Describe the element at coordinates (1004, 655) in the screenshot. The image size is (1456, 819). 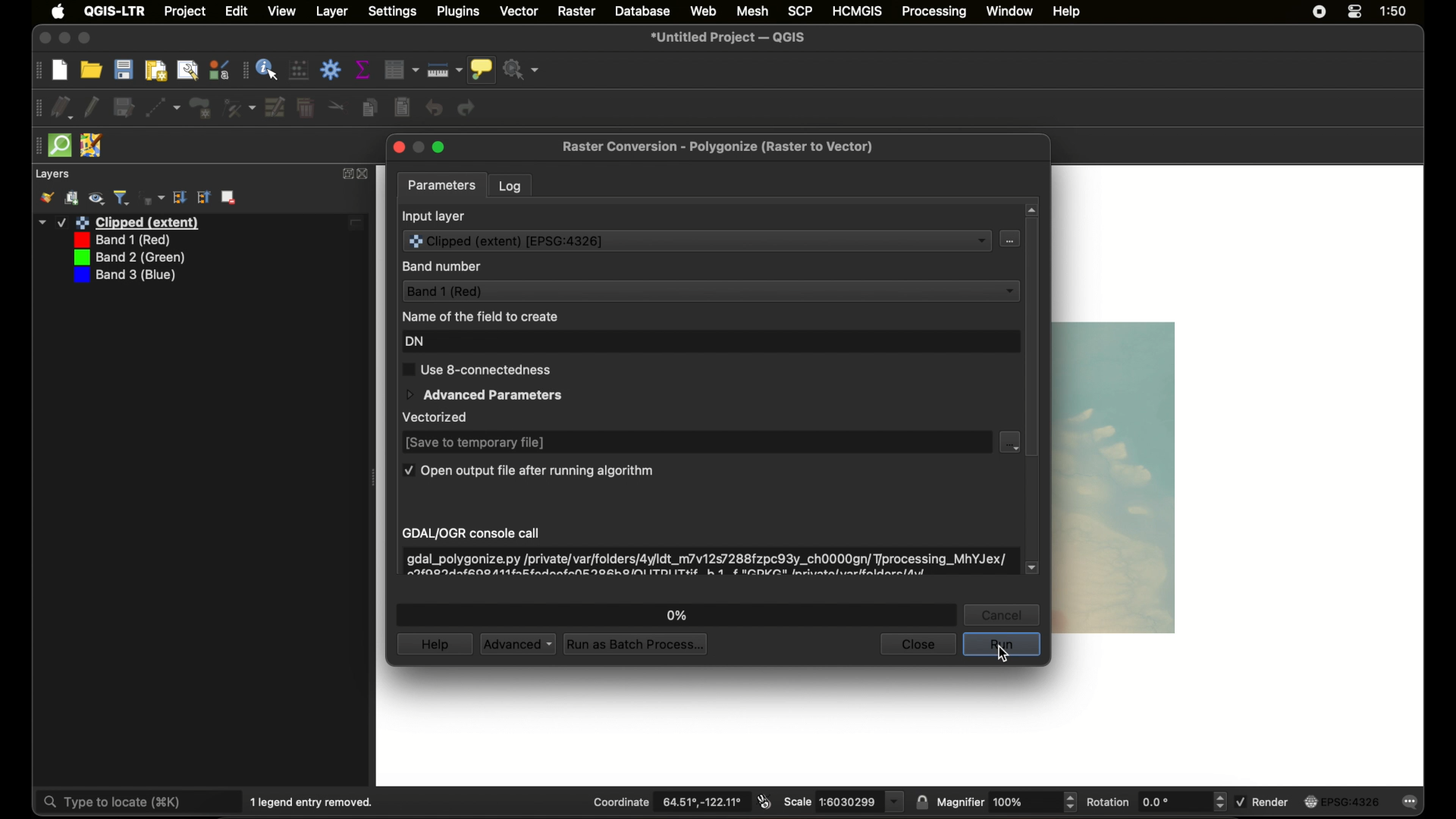
I see `cursor` at that location.